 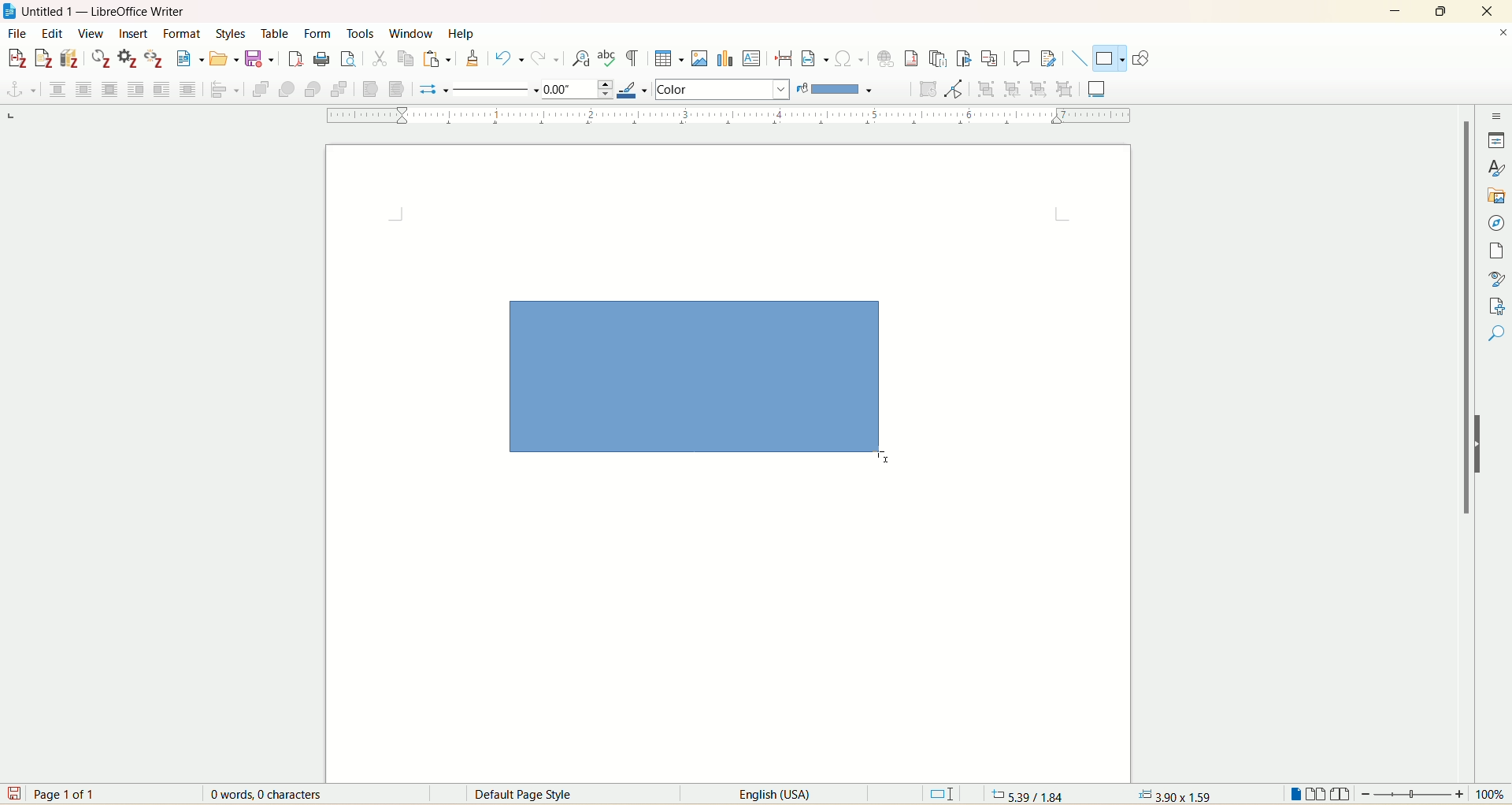 What do you see at coordinates (669, 57) in the screenshot?
I see `insert table` at bounding box center [669, 57].